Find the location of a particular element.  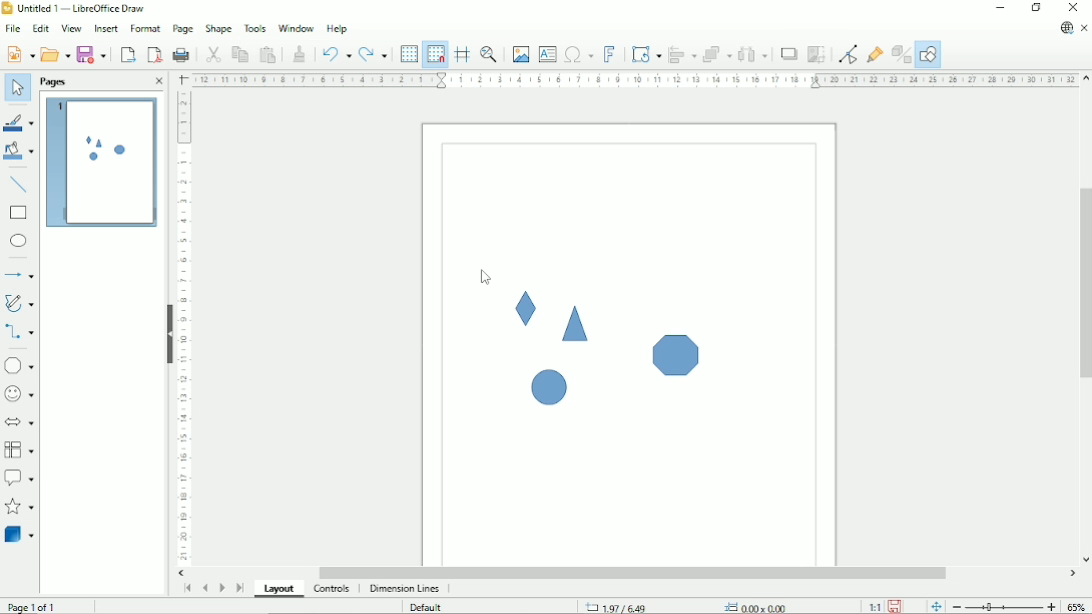

Fit page to the current window is located at coordinates (934, 605).